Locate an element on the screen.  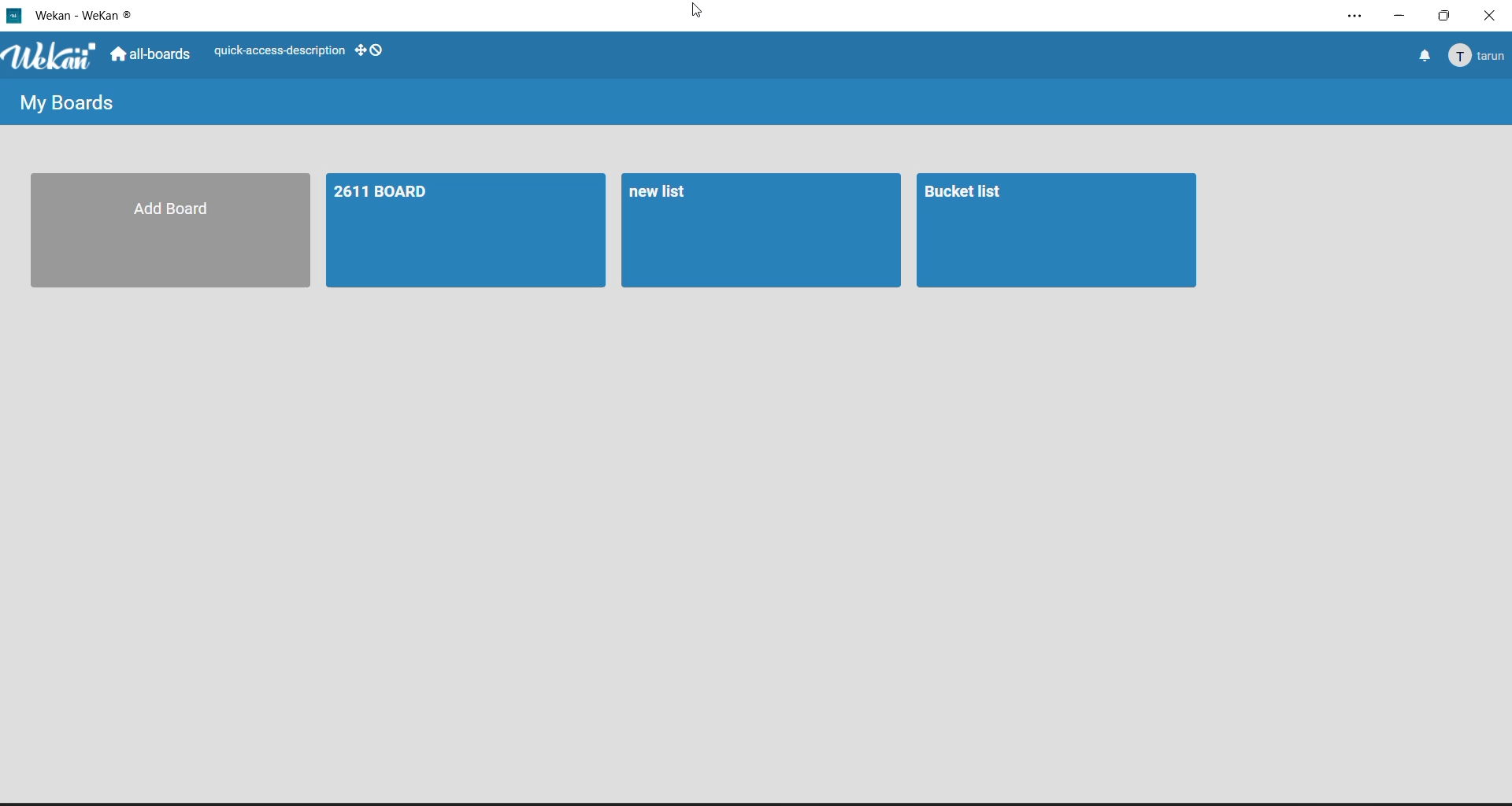
cursor is located at coordinates (698, 13).